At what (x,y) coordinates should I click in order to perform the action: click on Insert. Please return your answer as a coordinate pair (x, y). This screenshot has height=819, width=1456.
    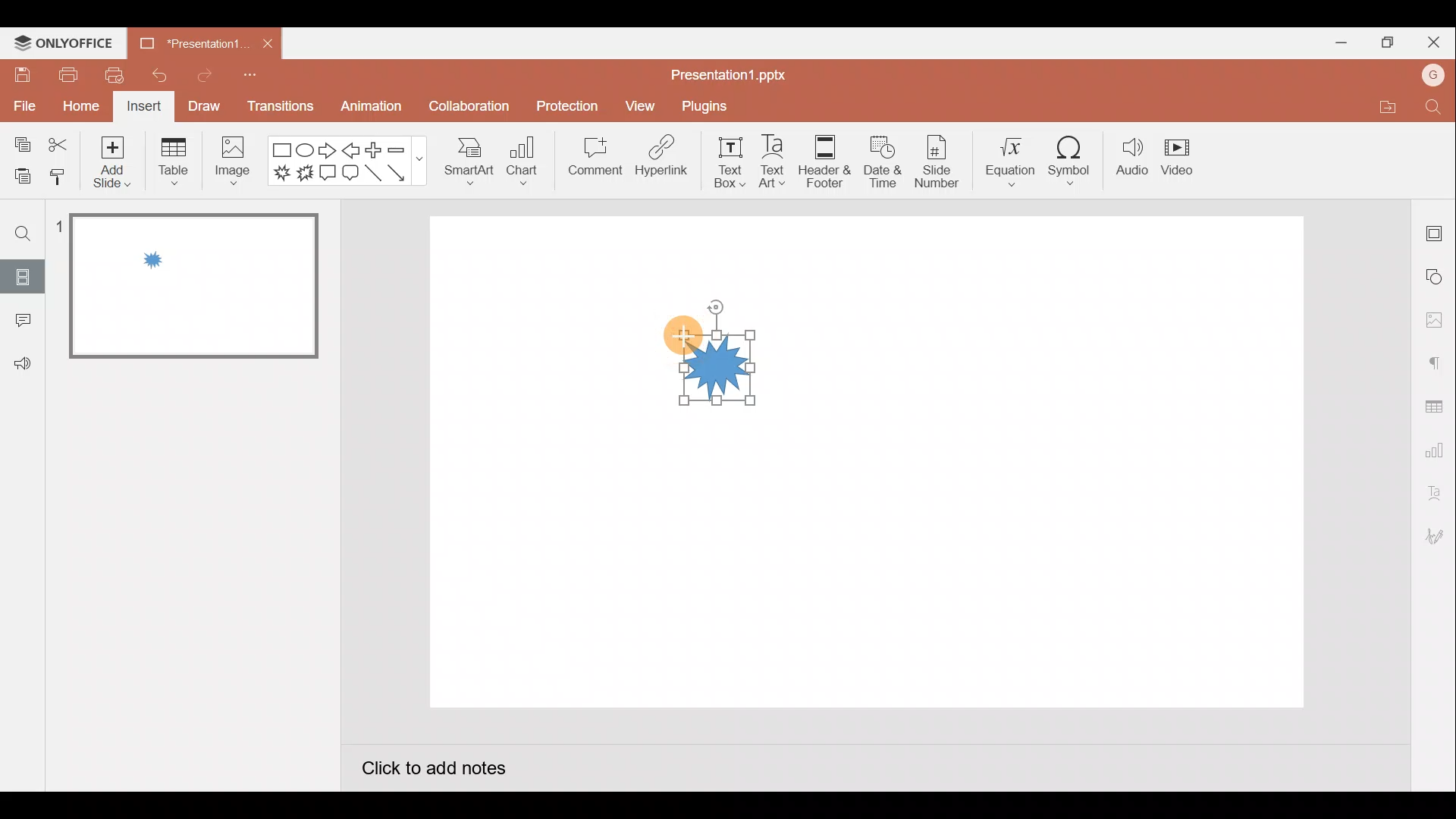
    Looking at the image, I should click on (146, 107).